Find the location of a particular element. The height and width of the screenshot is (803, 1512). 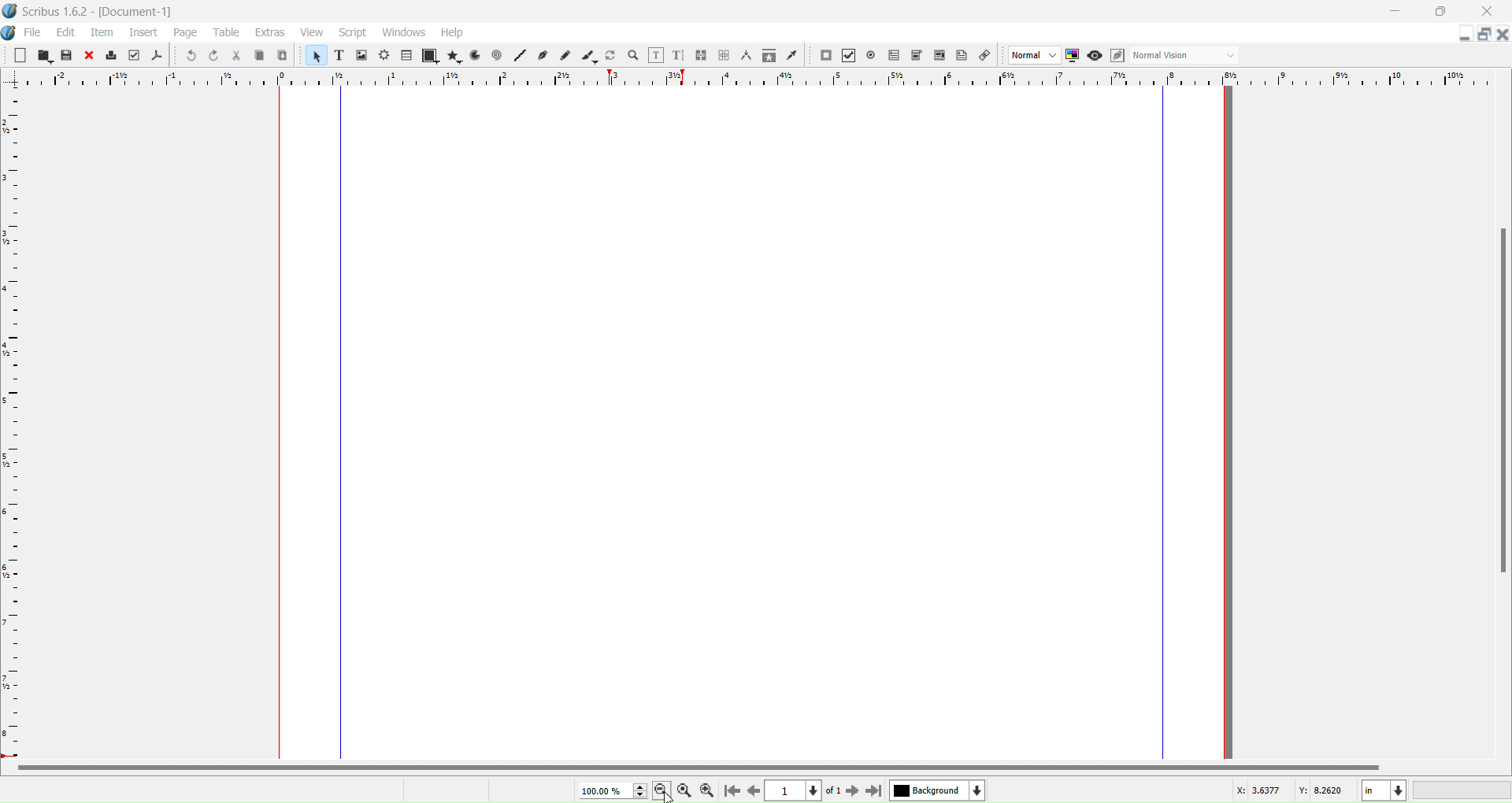

Edit is located at coordinates (64, 33).